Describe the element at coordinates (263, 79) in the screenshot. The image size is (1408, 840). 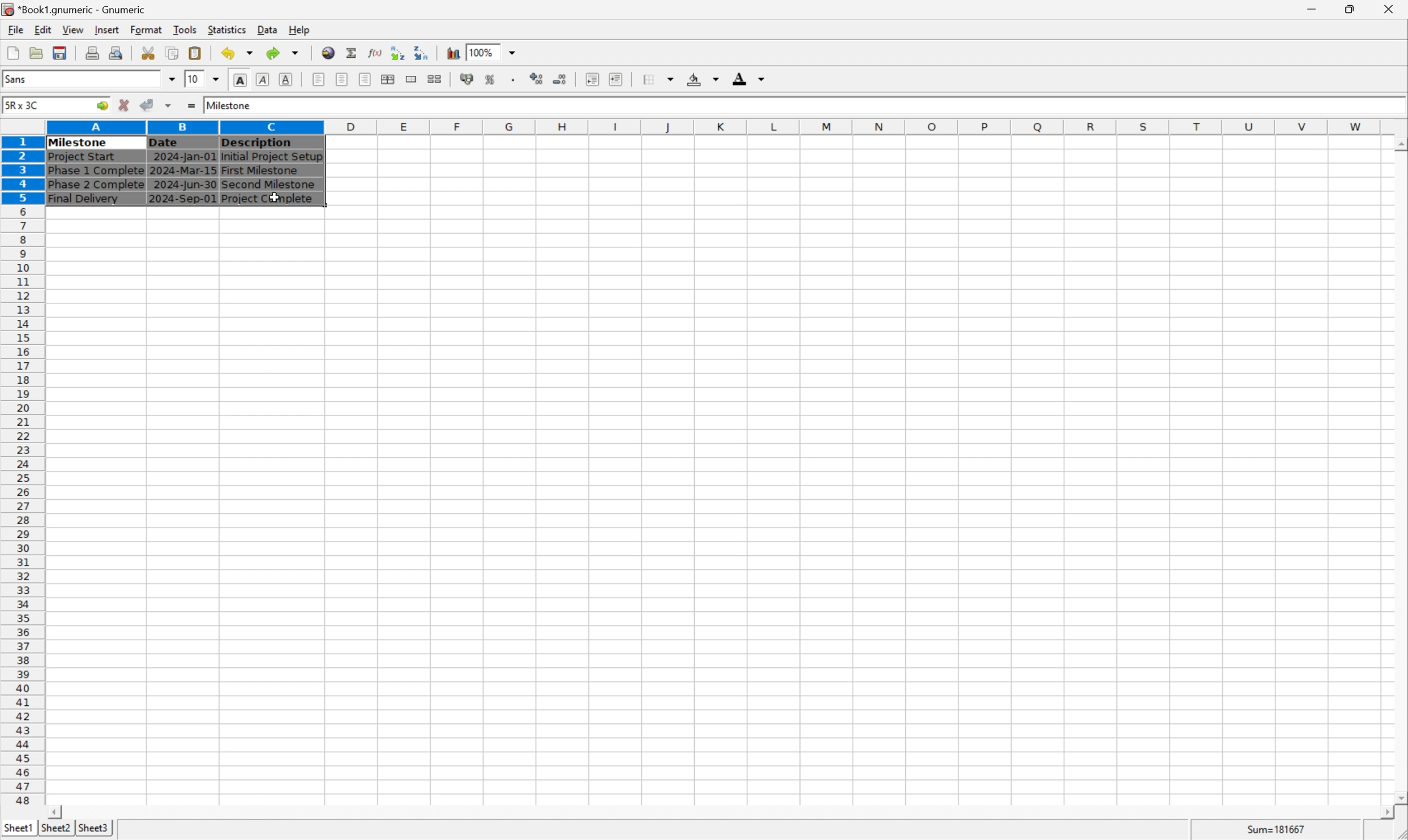
I see `italic` at that location.